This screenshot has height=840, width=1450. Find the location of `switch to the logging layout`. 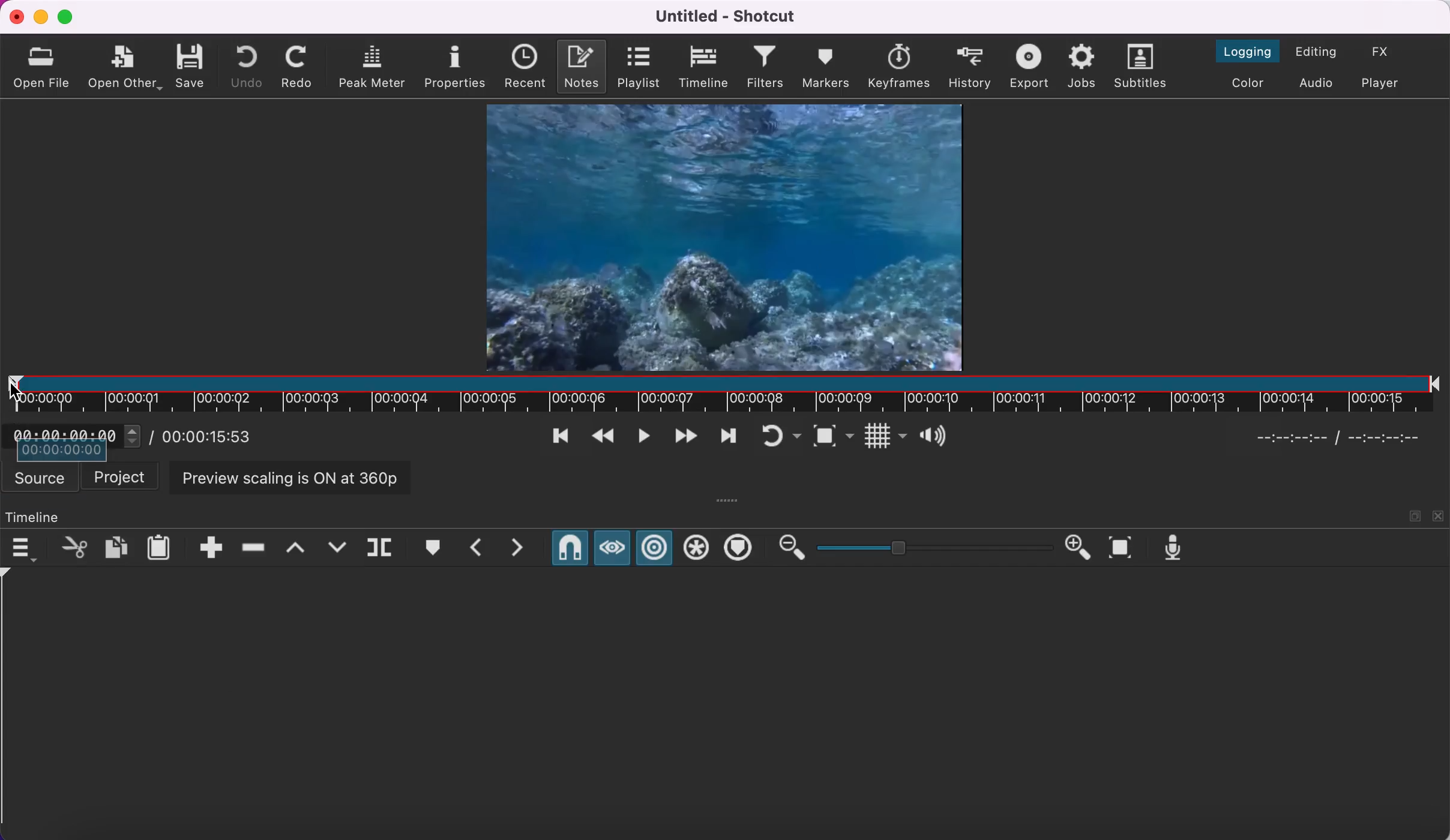

switch to the logging layout is located at coordinates (1251, 51).